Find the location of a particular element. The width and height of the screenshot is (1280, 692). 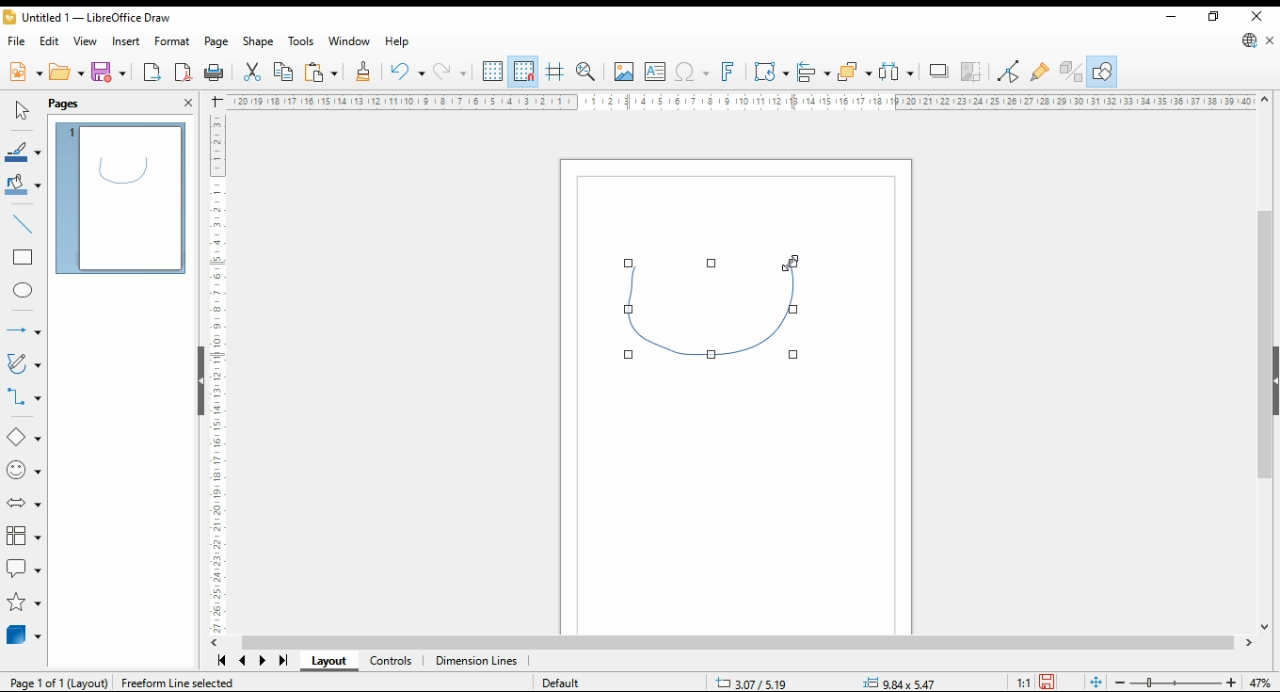

show draw functions is located at coordinates (1102, 72).